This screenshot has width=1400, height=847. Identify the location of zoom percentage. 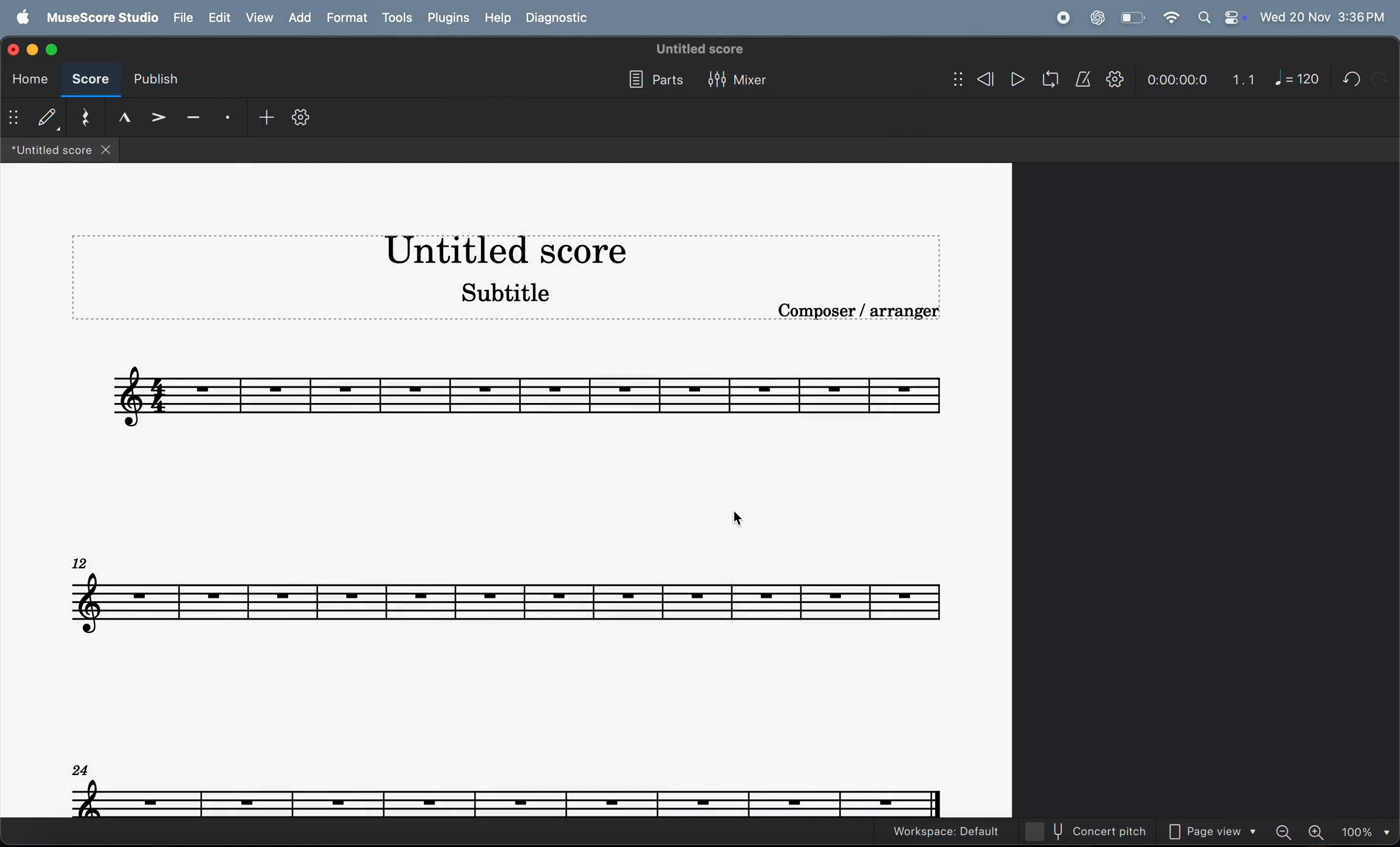
(1364, 832).